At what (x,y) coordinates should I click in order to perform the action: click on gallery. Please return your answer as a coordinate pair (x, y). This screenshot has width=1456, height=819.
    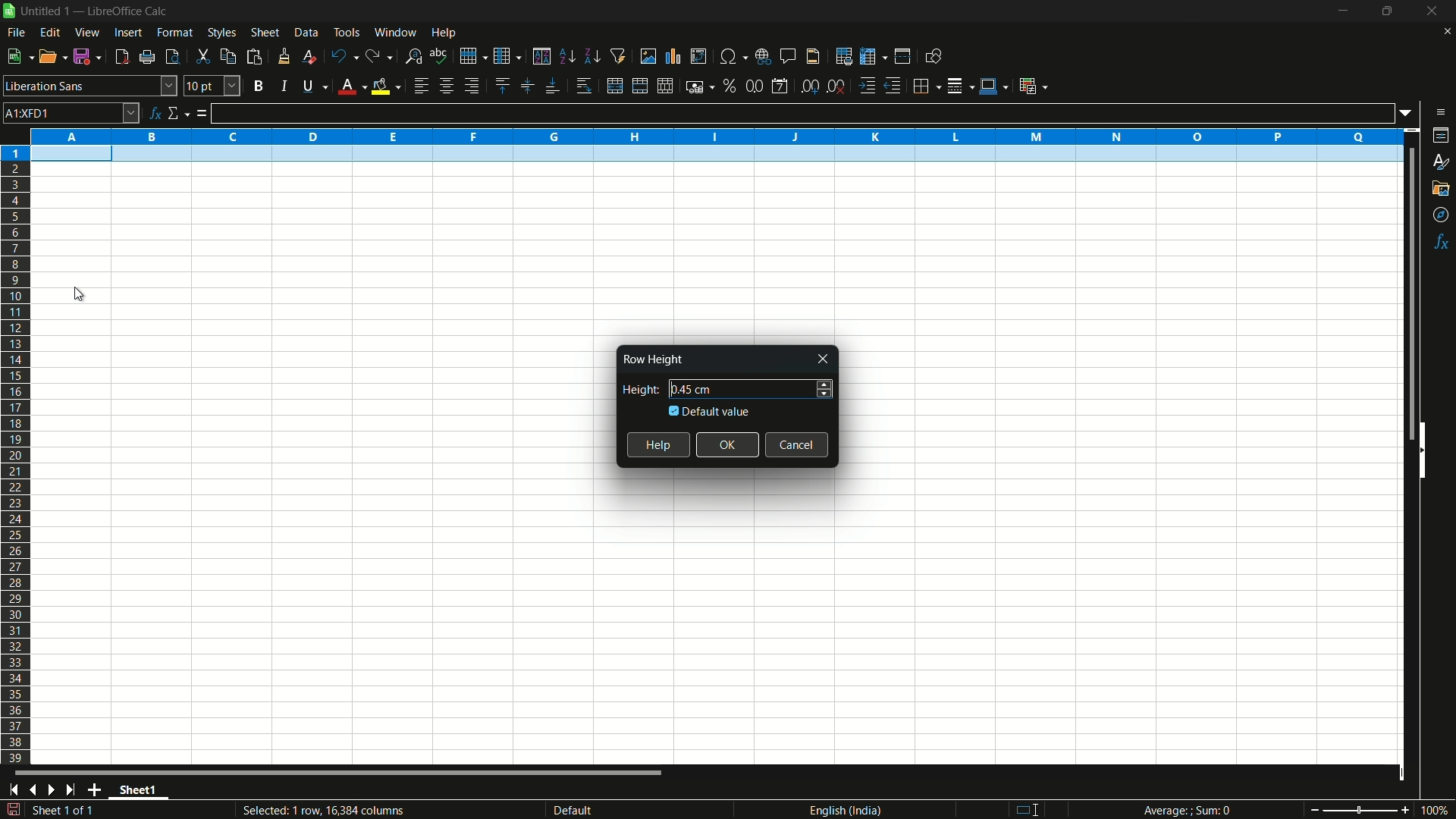
    Looking at the image, I should click on (1442, 188).